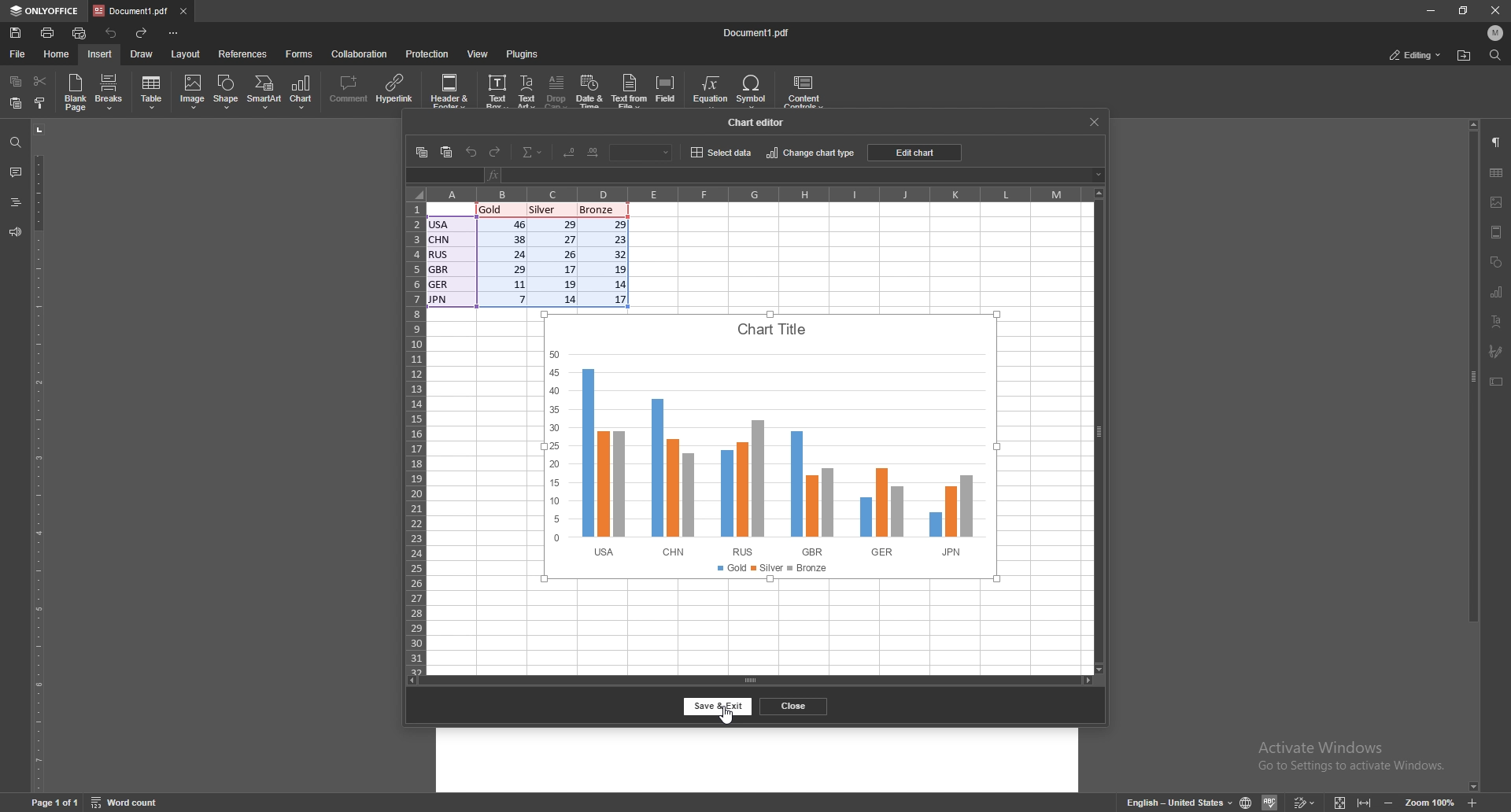 Image resolution: width=1511 pixels, height=812 pixels. Describe the element at coordinates (533, 151) in the screenshot. I see `summation` at that location.